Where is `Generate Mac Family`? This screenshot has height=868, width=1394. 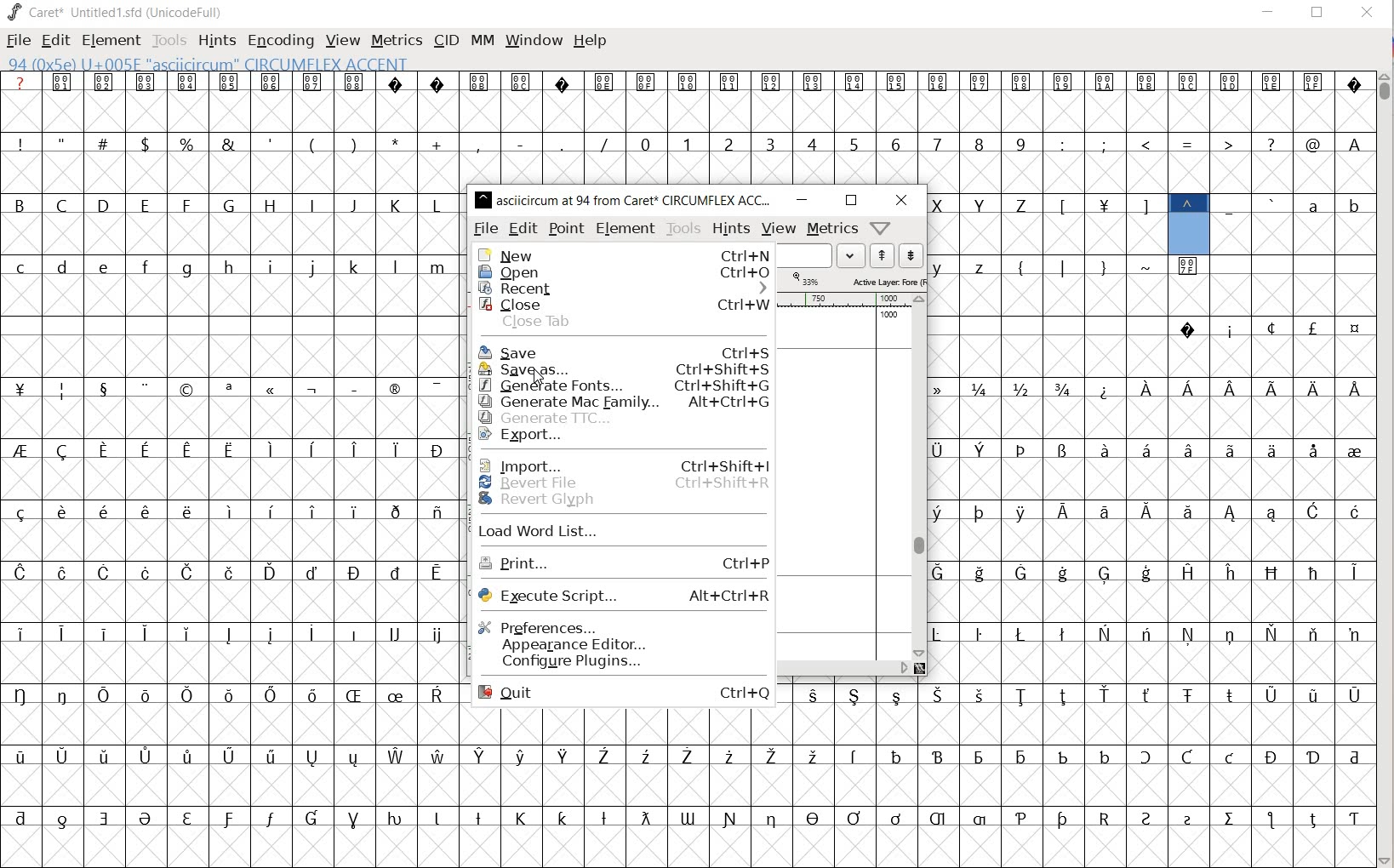
Generate Mac Family is located at coordinates (622, 401).